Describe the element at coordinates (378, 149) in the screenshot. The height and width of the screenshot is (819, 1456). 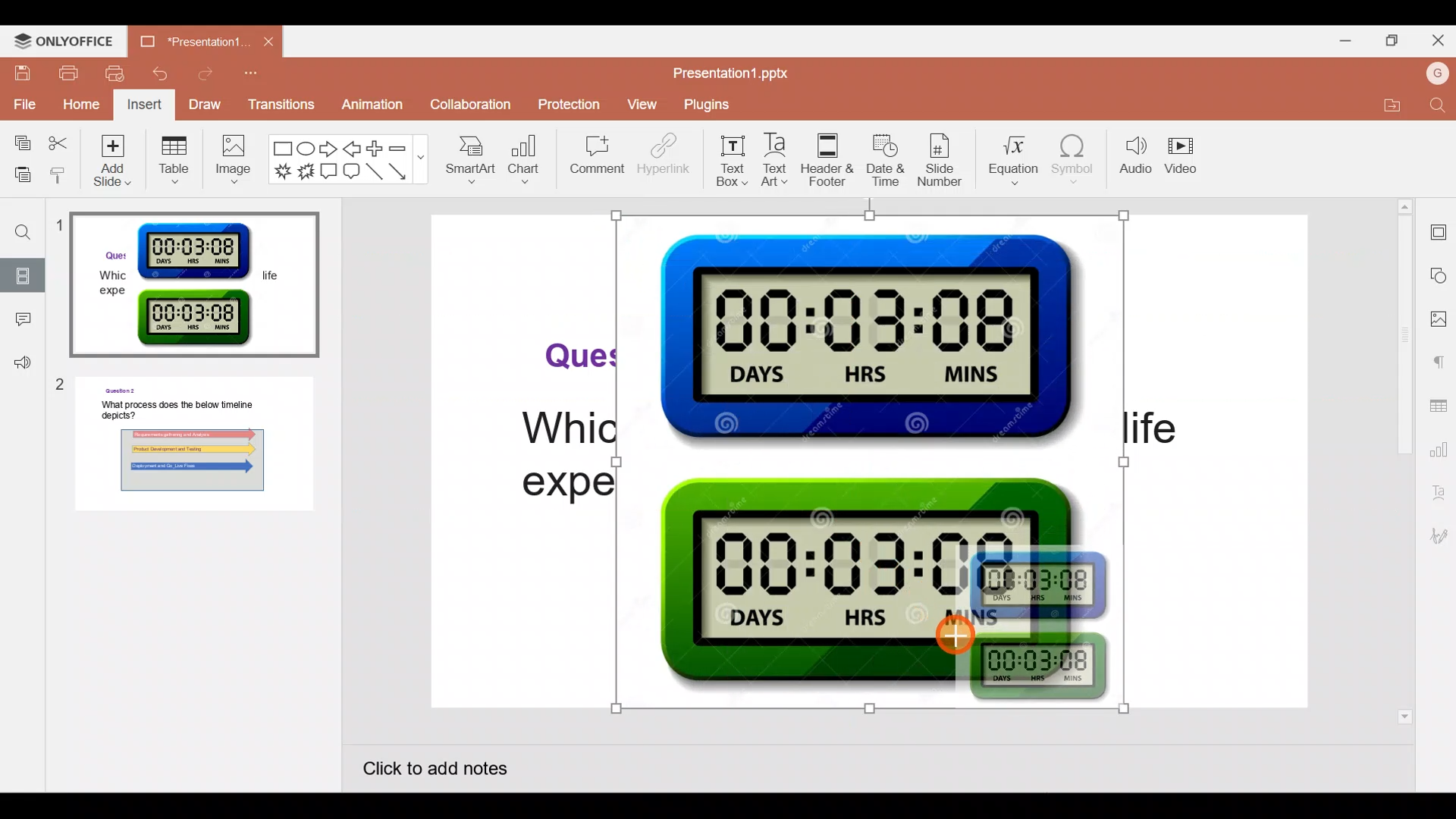
I see `Plus` at that location.